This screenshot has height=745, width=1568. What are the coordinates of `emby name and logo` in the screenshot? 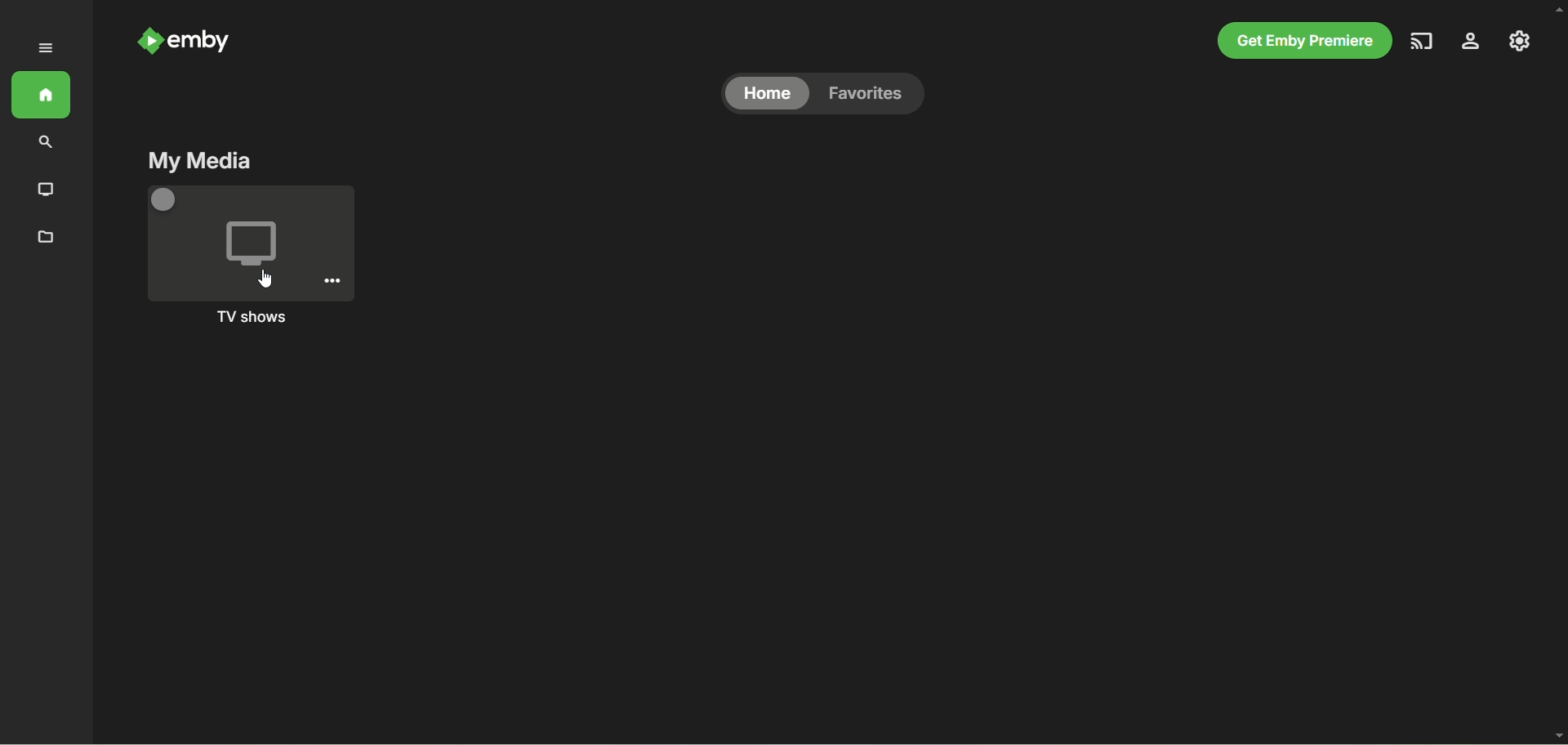 It's located at (187, 41).